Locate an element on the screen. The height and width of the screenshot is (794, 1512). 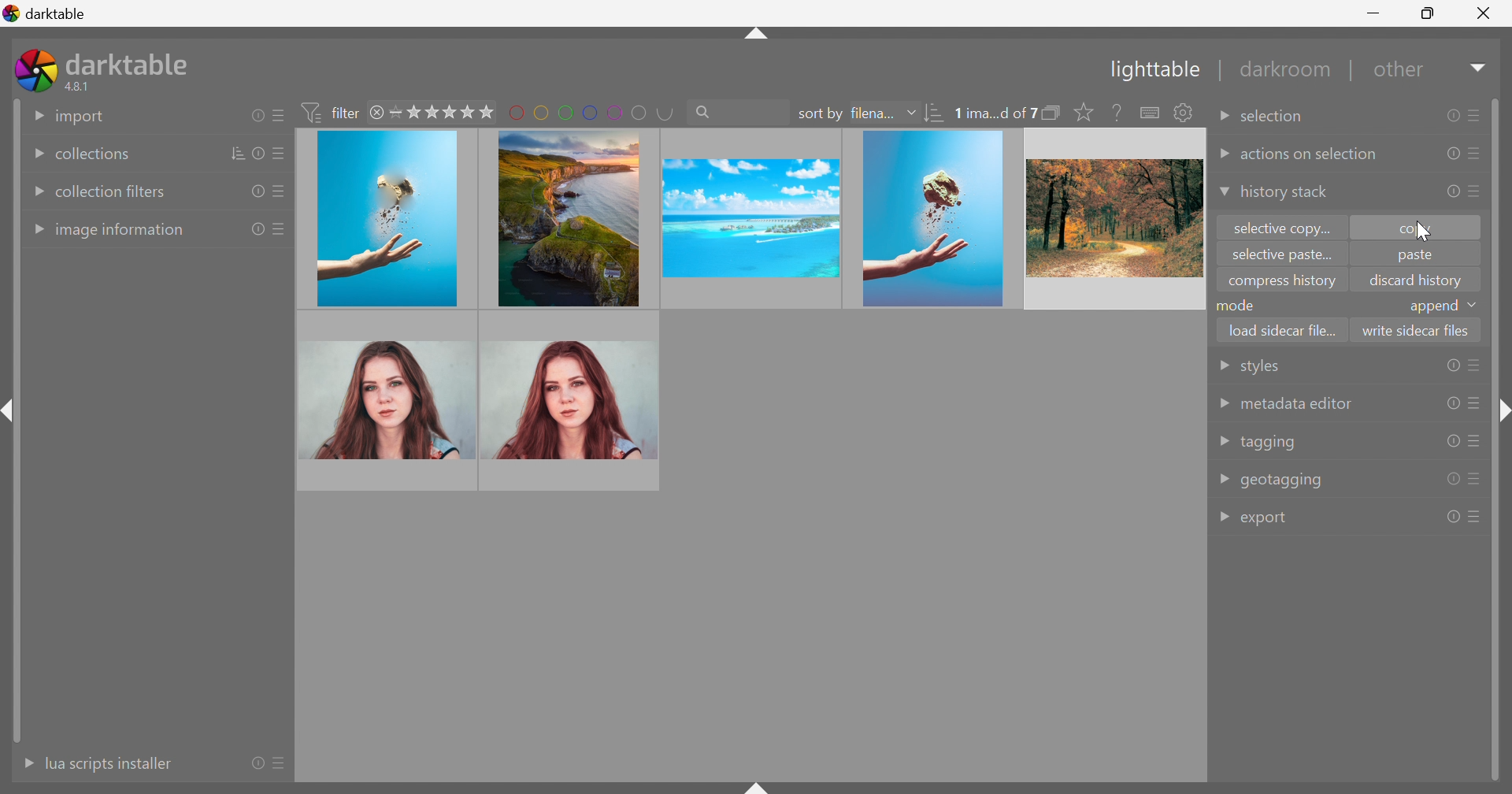
image information is located at coordinates (121, 232).